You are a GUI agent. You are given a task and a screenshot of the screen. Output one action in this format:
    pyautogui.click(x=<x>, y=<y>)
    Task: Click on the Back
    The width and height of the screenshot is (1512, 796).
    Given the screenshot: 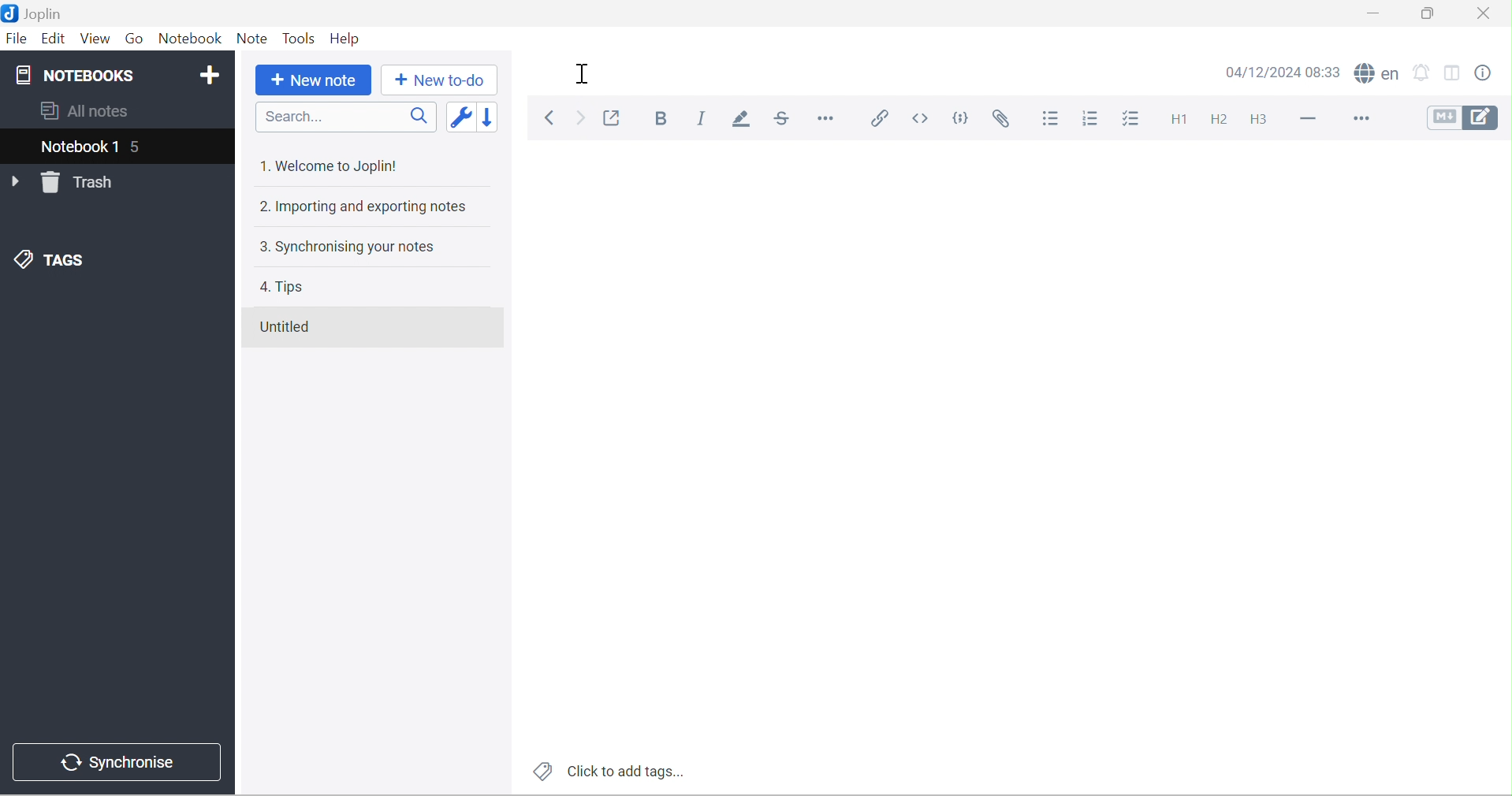 What is the action you would take?
    pyautogui.click(x=550, y=117)
    